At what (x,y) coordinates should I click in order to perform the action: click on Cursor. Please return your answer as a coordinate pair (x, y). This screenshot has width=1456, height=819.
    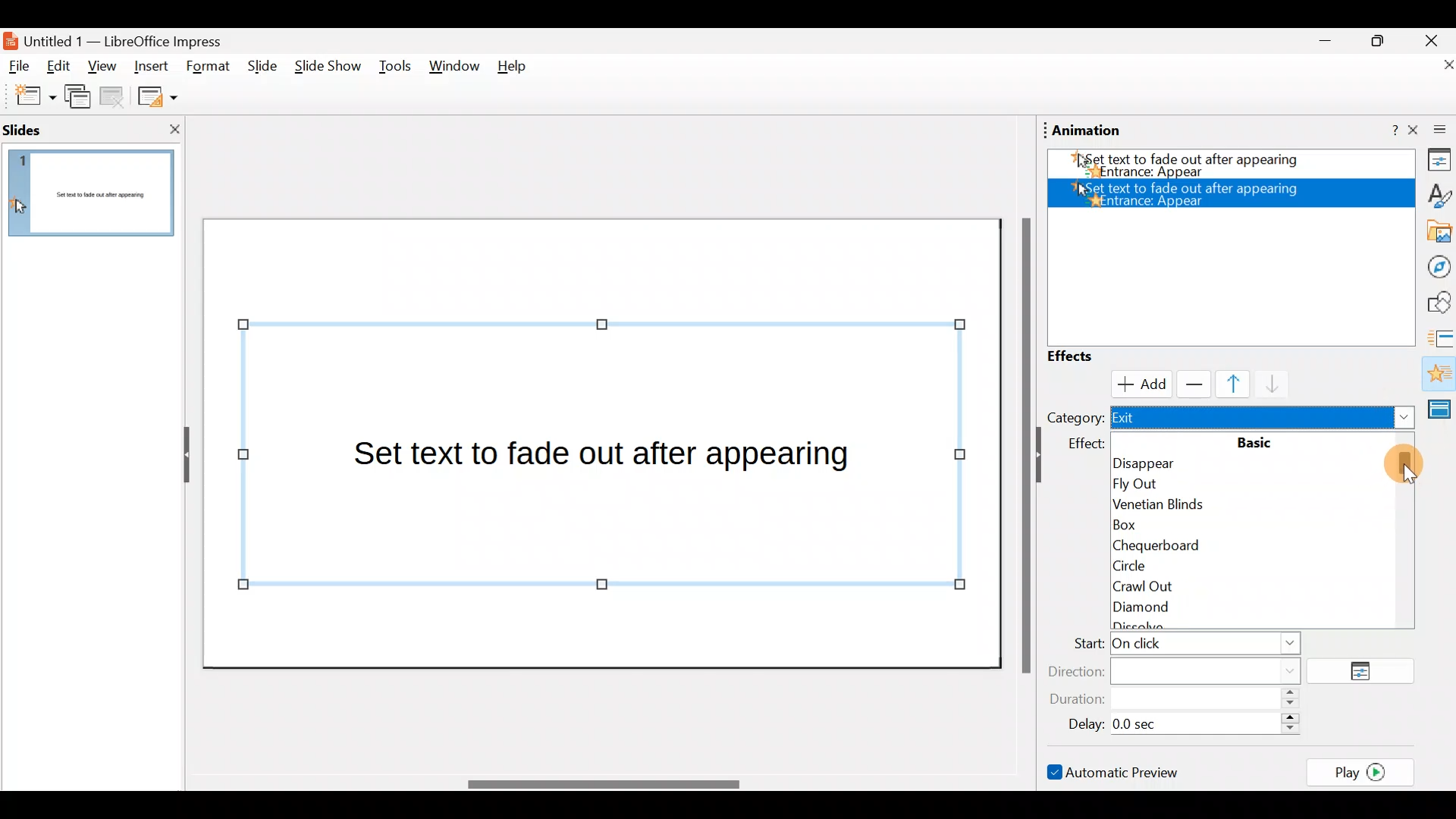
    Looking at the image, I should click on (1137, 382).